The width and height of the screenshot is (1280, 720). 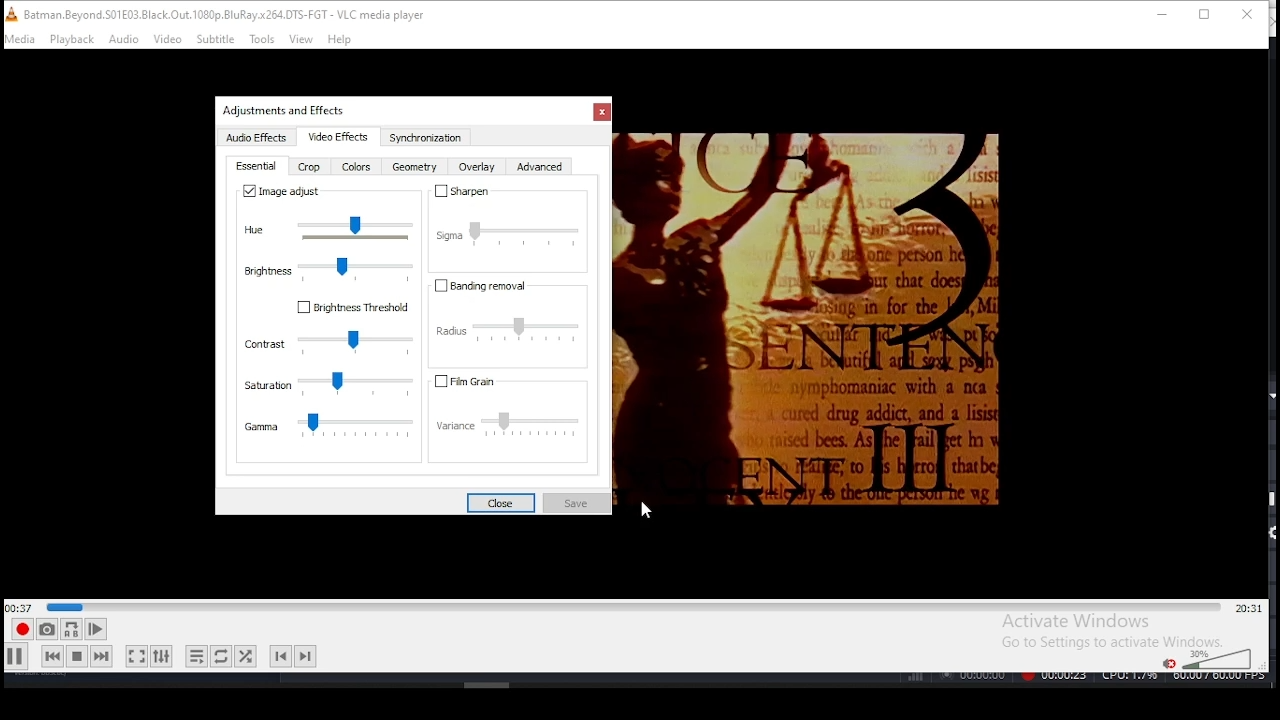 I want to click on minimize, so click(x=1158, y=14).